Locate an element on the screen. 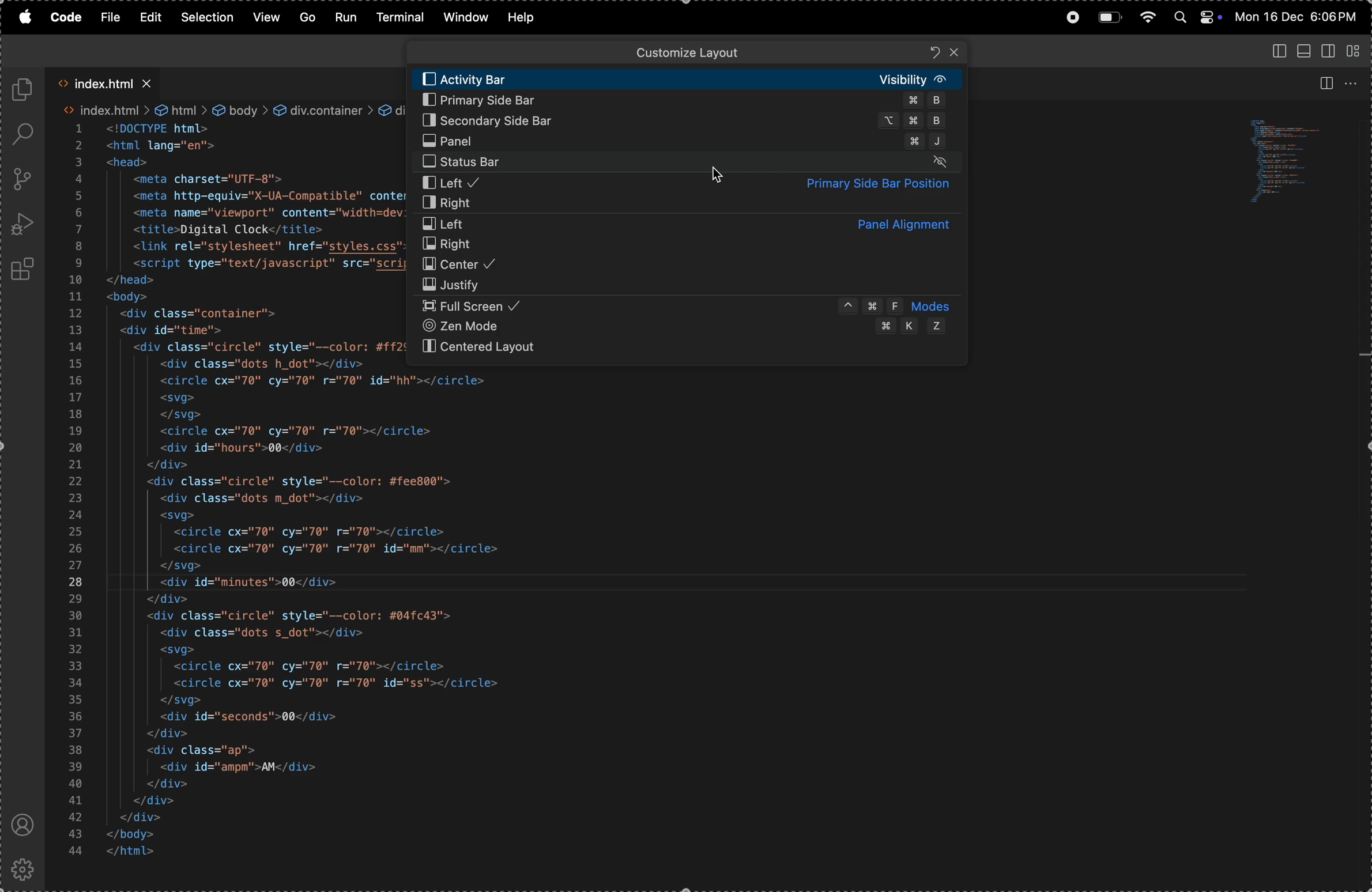 The width and height of the screenshot is (1372, 892). primary is located at coordinates (684, 144).